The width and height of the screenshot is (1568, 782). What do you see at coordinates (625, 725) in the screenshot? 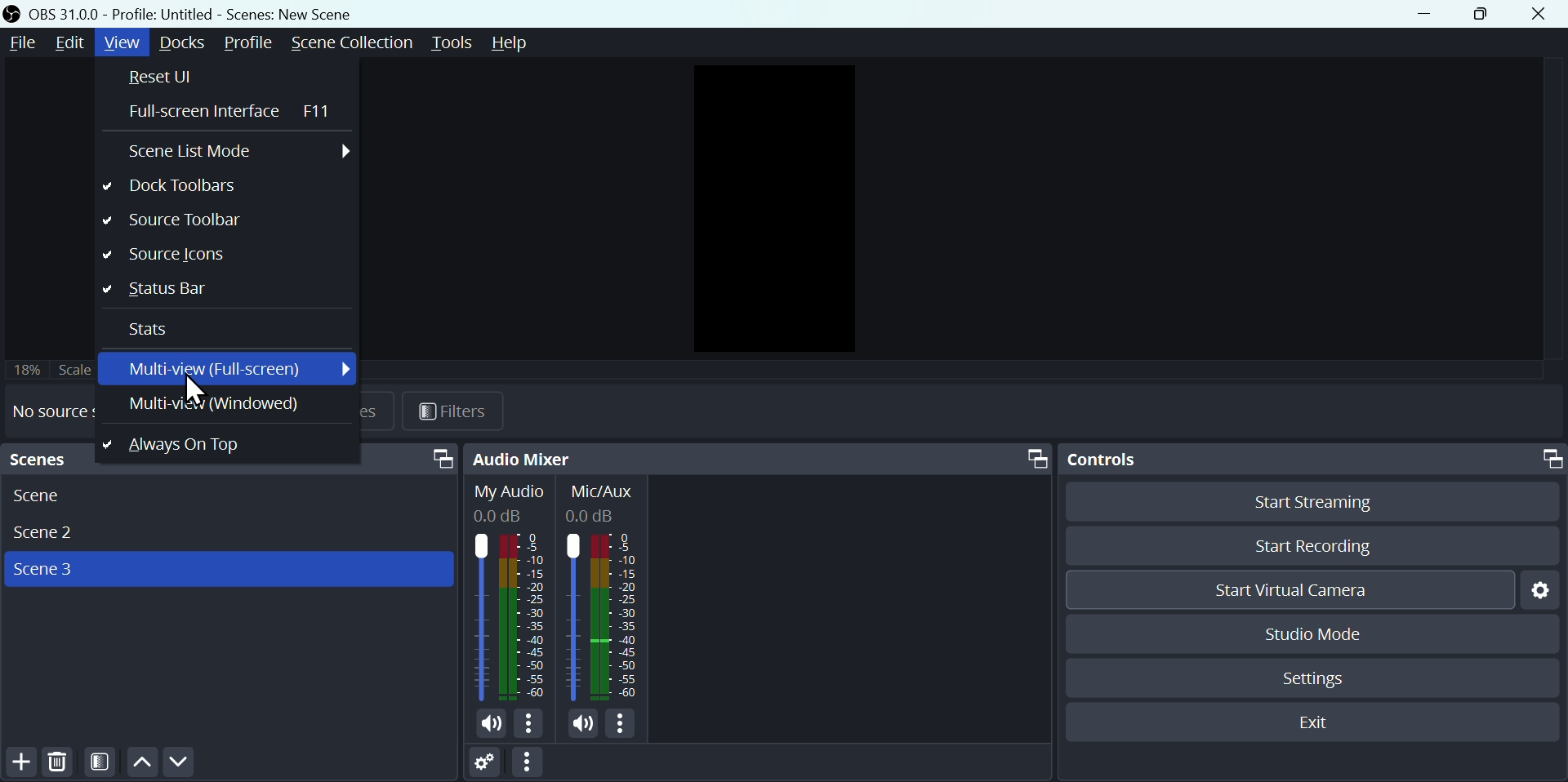
I see `More options` at bounding box center [625, 725].